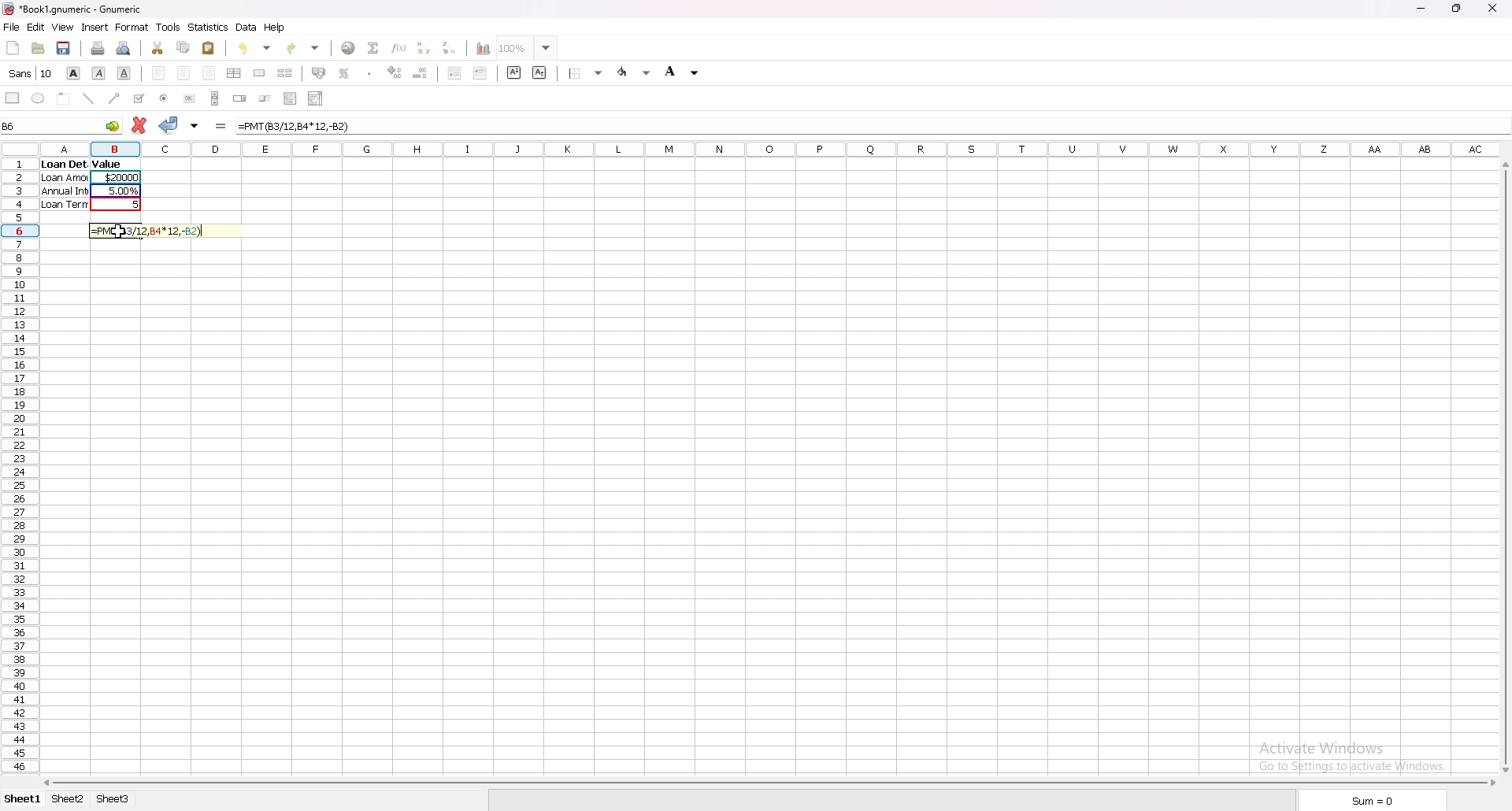 This screenshot has width=1512, height=811. Describe the element at coordinates (240, 98) in the screenshot. I see `spin button` at that location.